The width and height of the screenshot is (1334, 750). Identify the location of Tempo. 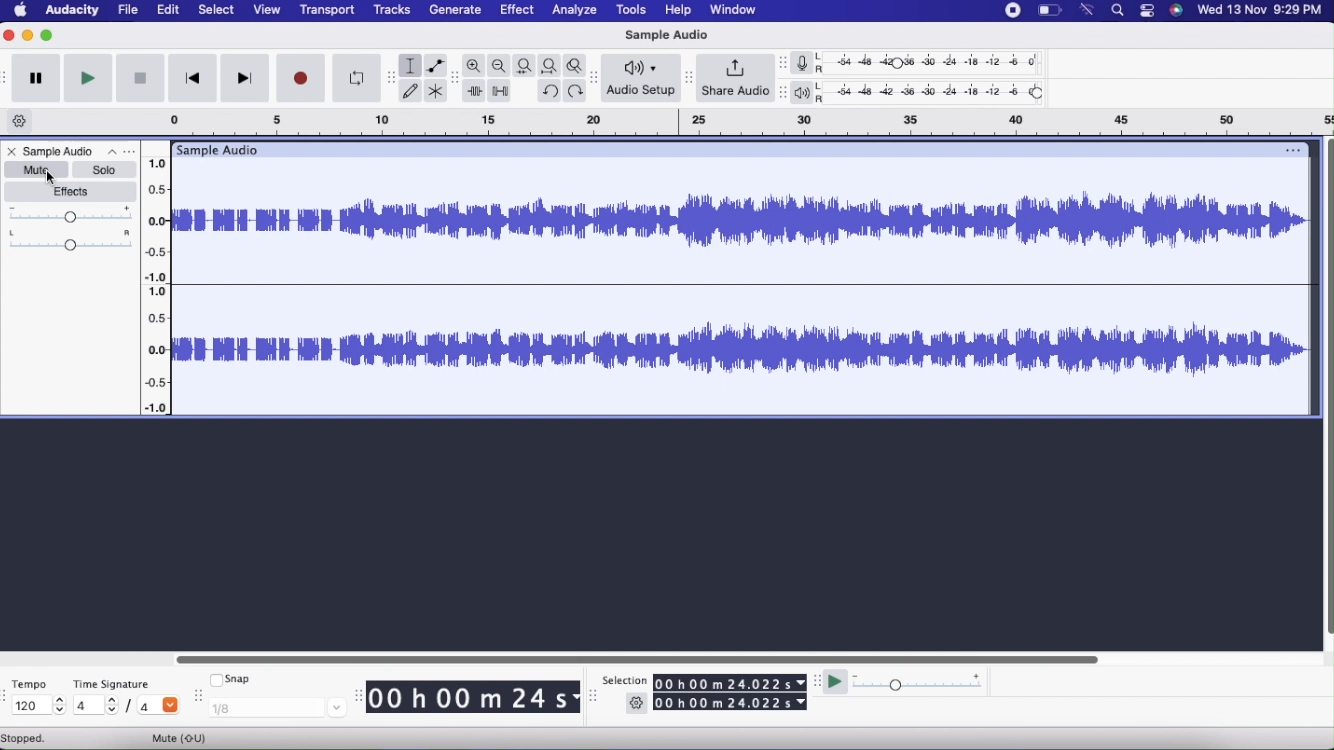
(28, 684).